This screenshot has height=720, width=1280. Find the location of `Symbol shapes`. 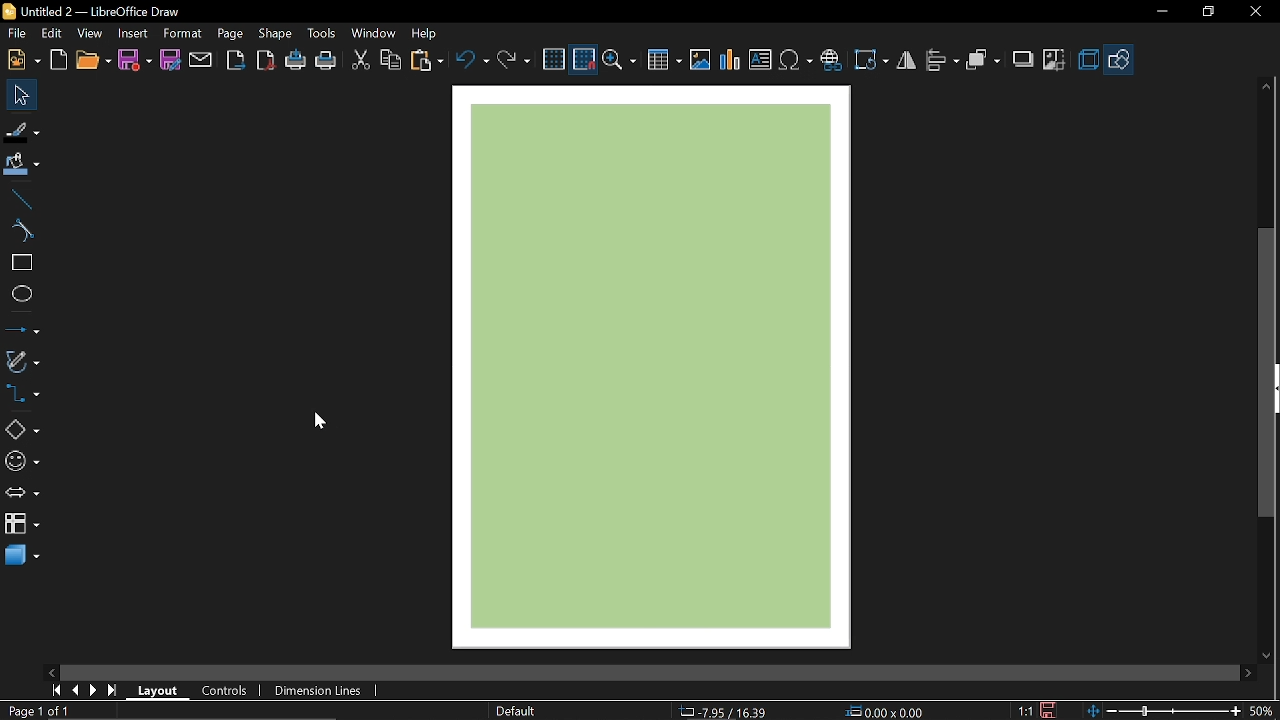

Symbol shapes is located at coordinates (22, 462).